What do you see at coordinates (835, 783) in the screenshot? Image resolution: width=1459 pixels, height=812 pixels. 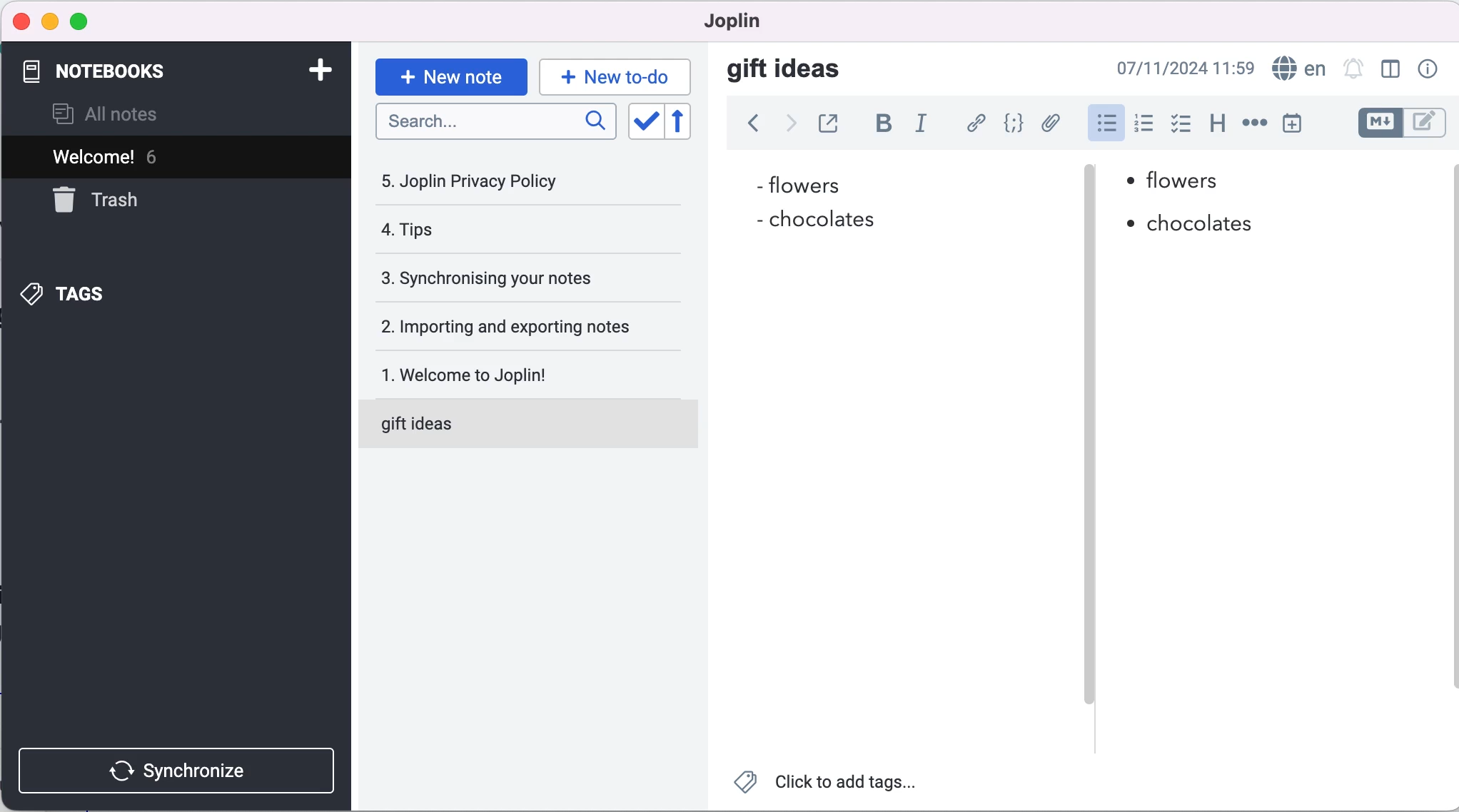 I see `click to add tags` at bounding box center [835, 783].